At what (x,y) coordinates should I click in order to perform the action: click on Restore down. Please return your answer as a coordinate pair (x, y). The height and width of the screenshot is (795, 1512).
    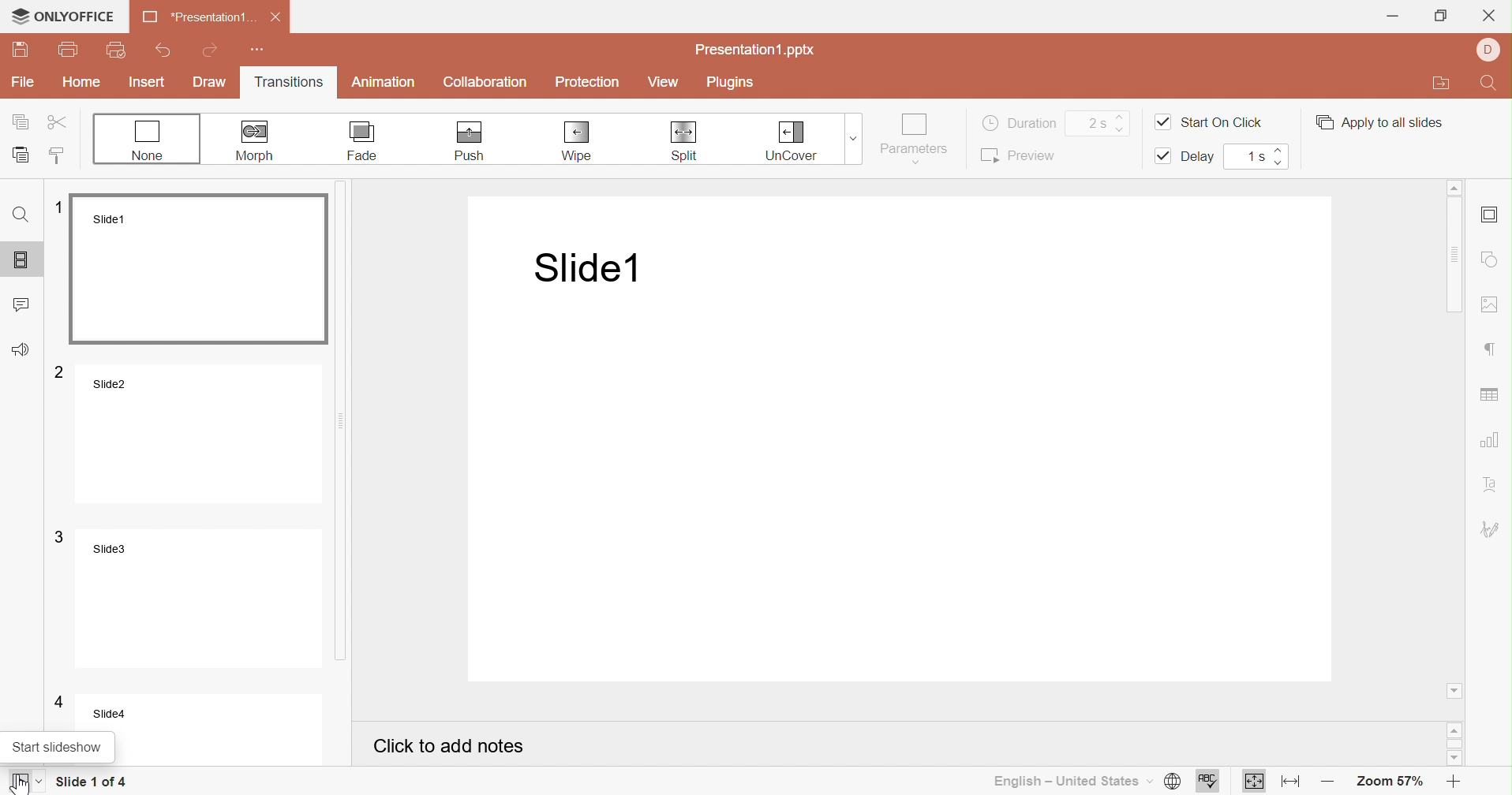
    Looking at the image, I should click on (1441, 17).